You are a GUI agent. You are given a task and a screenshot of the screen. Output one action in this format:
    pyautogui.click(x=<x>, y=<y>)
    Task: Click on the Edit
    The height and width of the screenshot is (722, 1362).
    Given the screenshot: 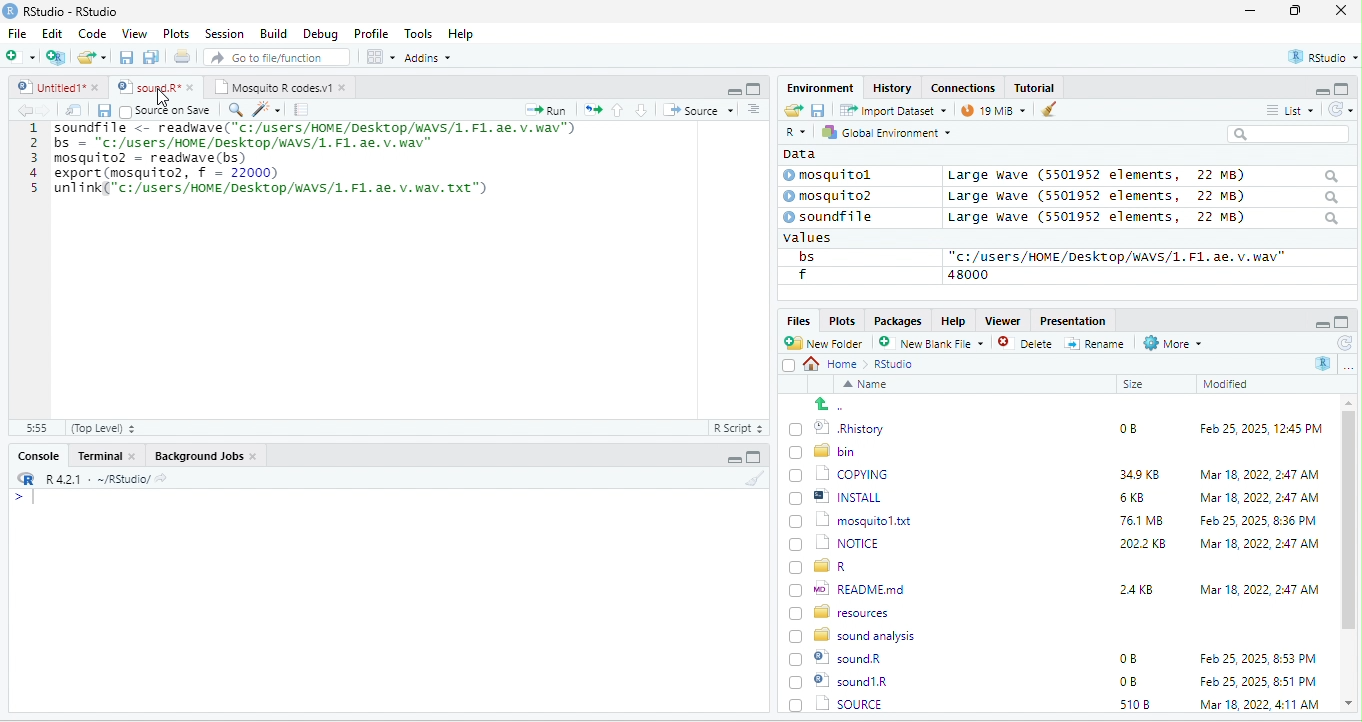 What is the action you would take?
    pyautogui.click(x=54, y=33)
    